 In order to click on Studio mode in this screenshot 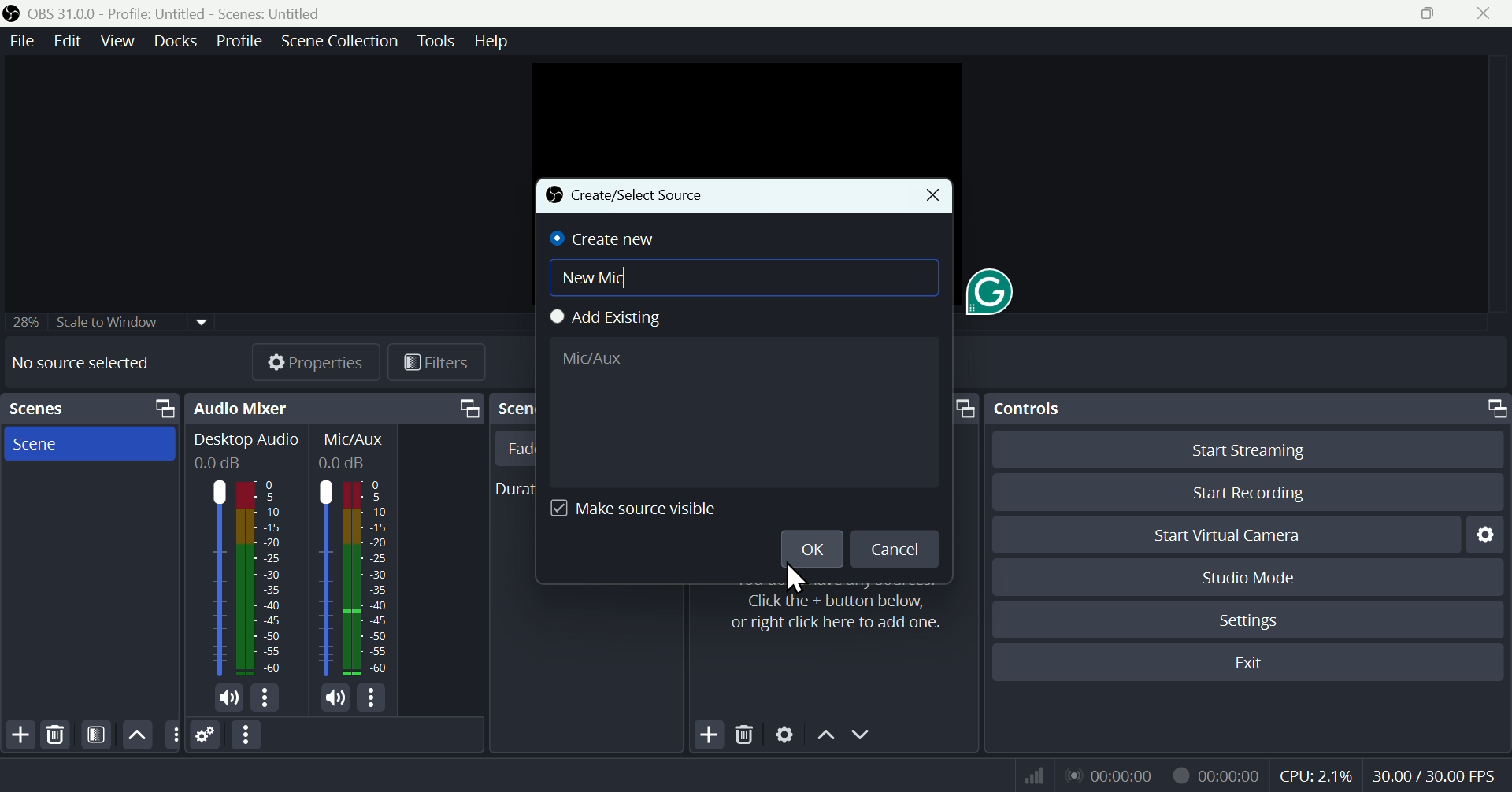, I will do `click(1250, 577)`.